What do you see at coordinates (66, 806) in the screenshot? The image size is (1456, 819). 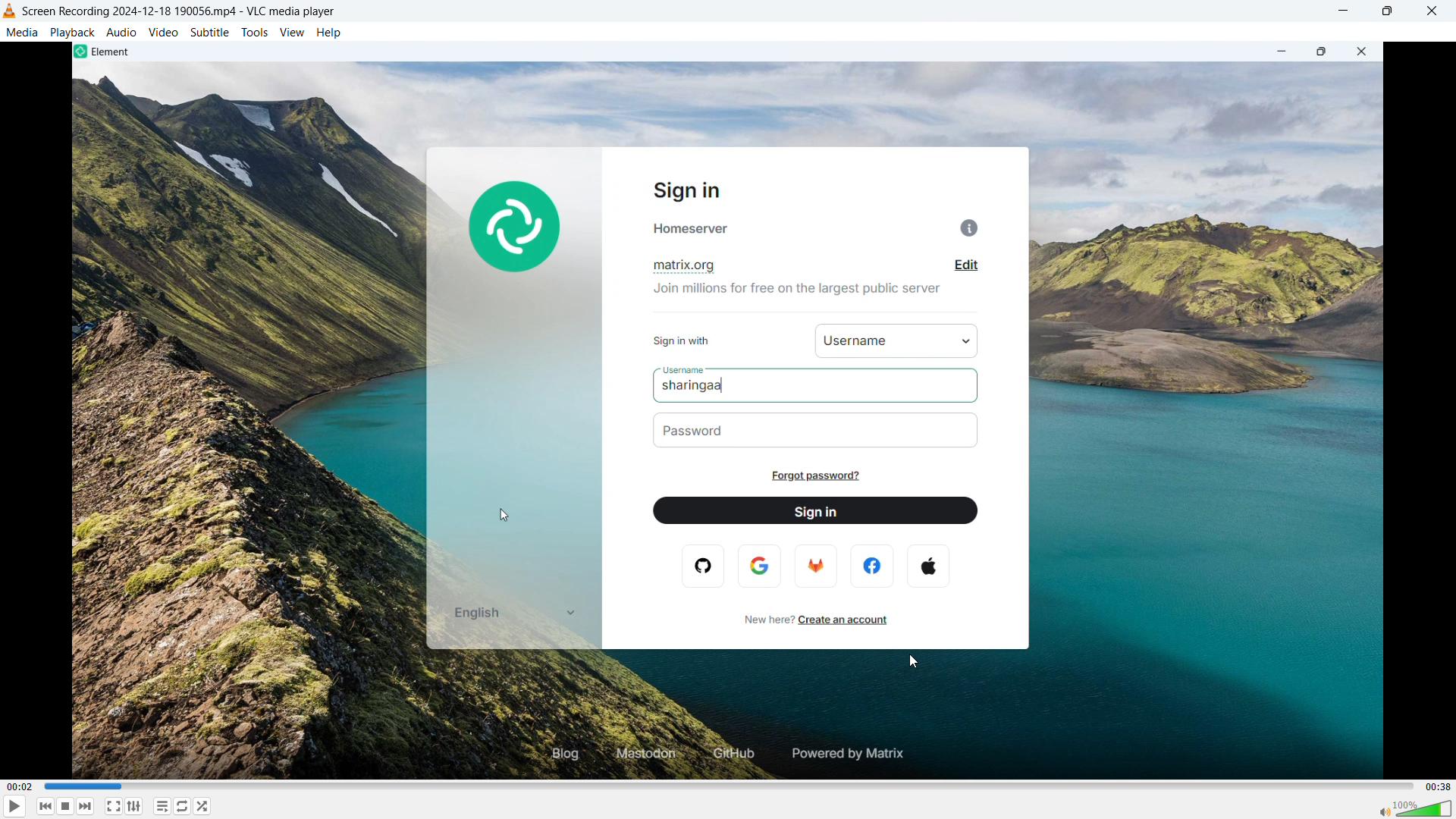 I see `Forward or next media ` at bounding box center [66, 806].